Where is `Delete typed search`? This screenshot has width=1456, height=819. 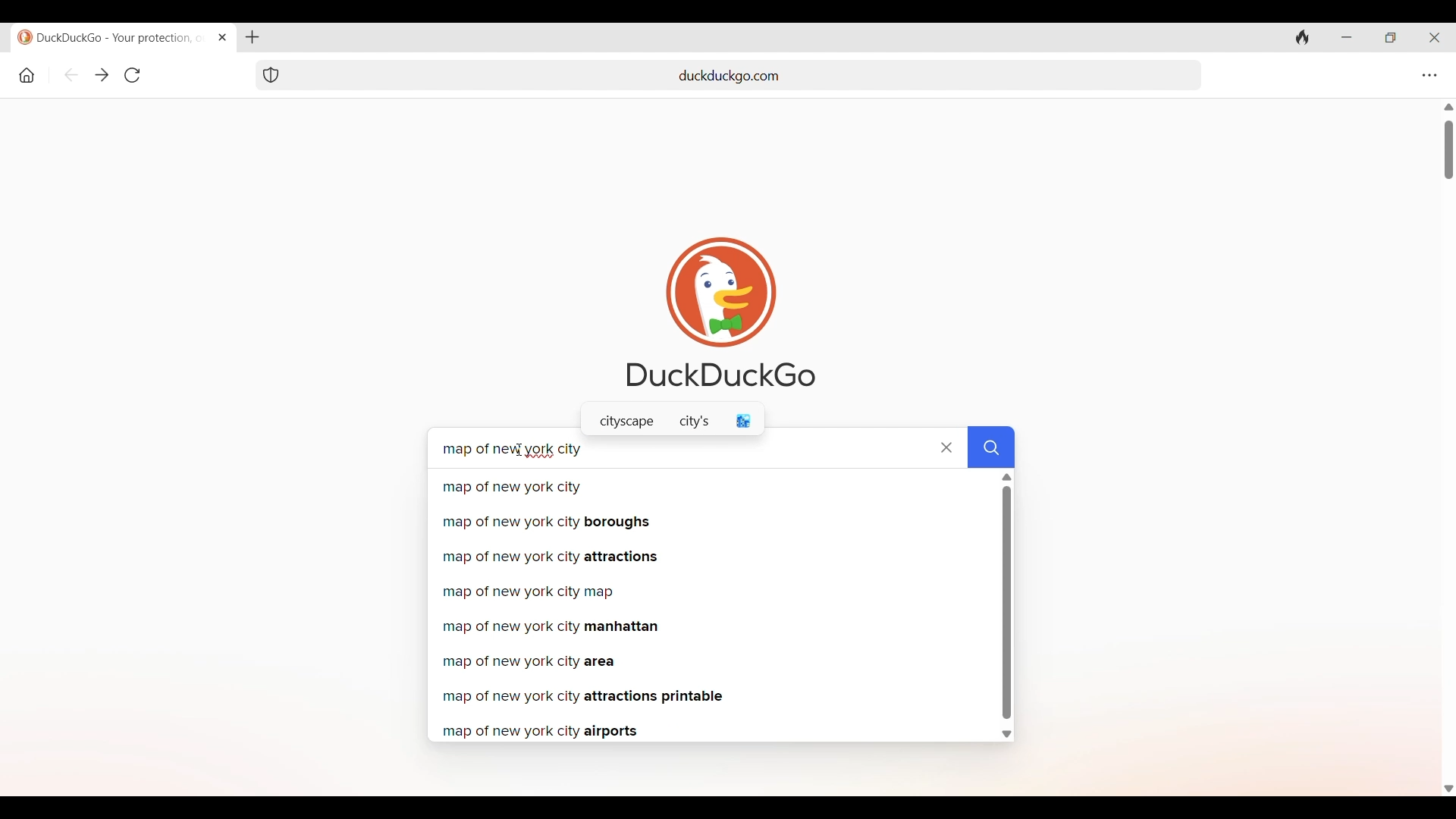 Delete typed search is located at coordinates (946, 447).